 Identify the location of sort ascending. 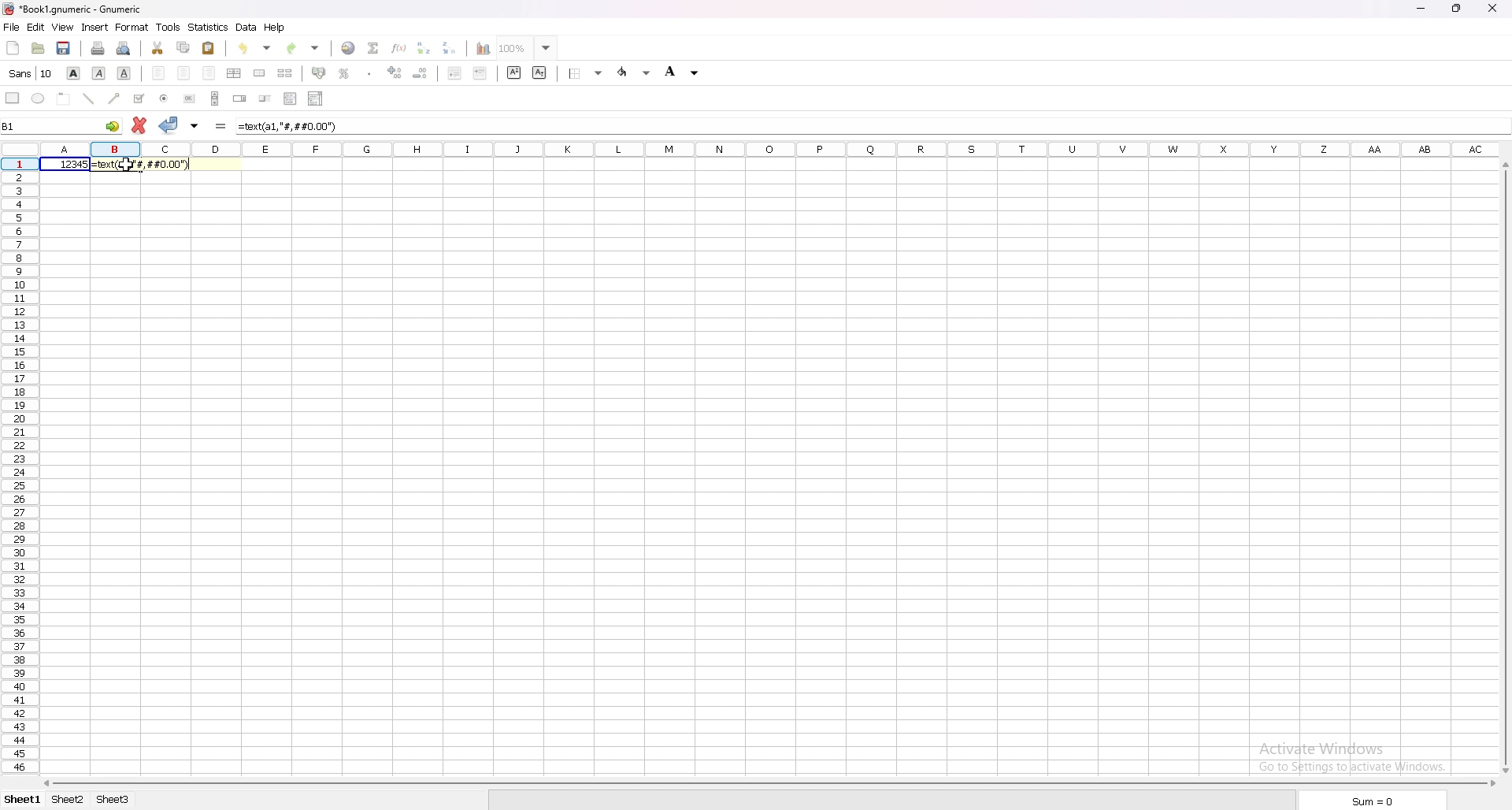
(424, 48).